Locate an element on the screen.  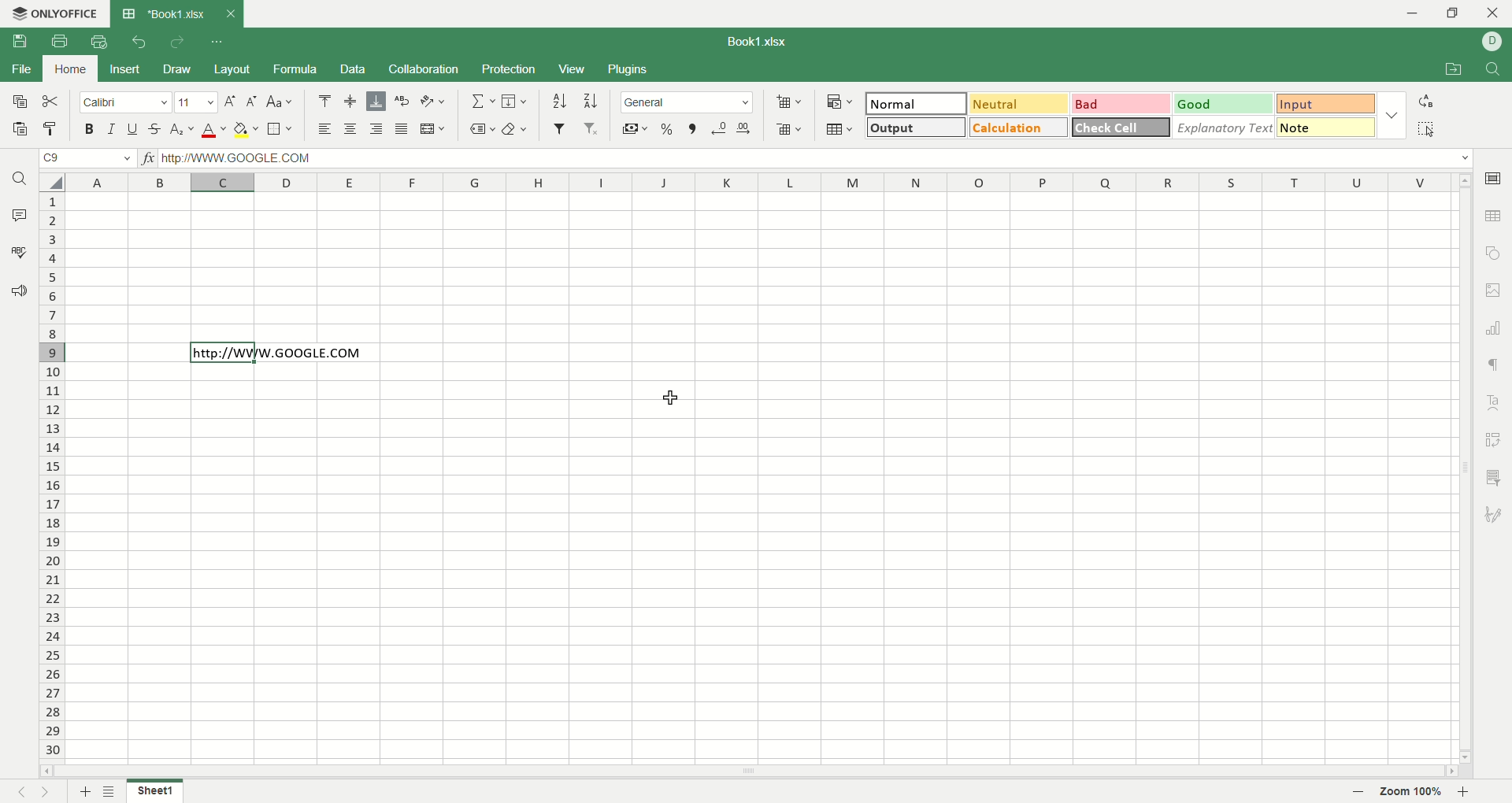
slicer settings is located at coordinates (1493, 475).